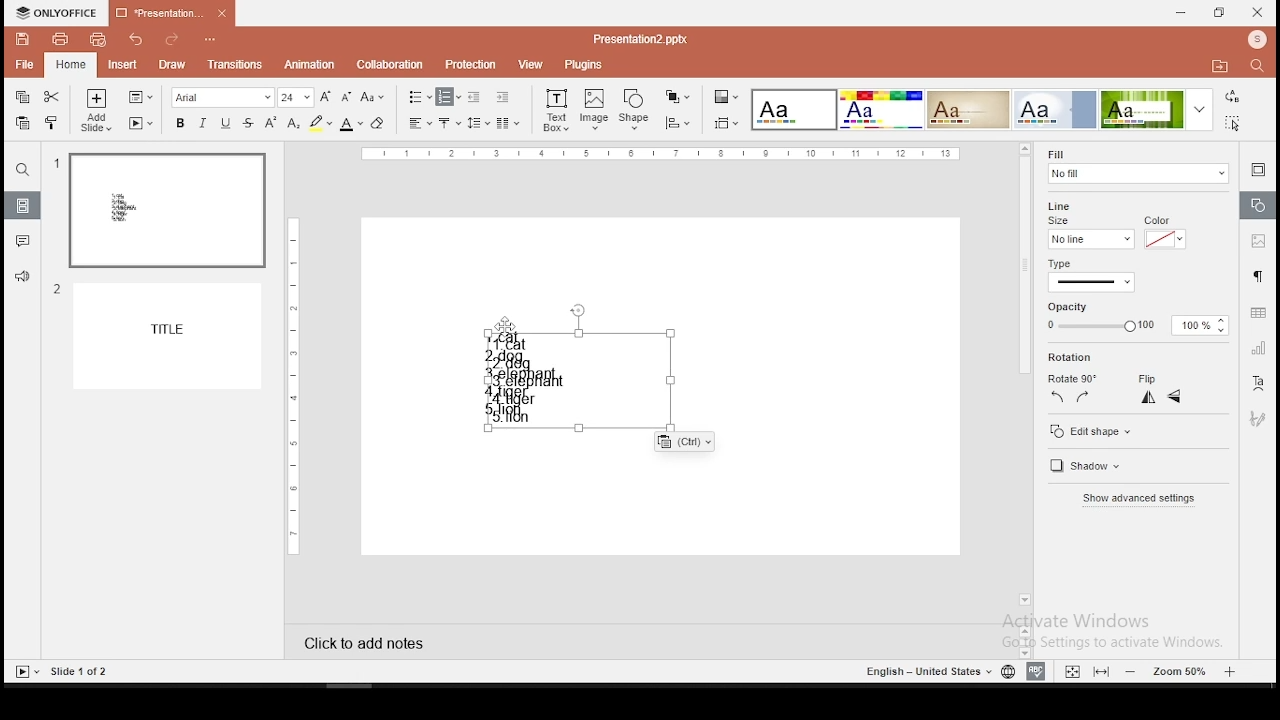 This screenshot has width=1280, height=720. What do you see at coordinates (1135, 164) in the screenshot?
I see `fill settings` at bounding box center [1135, 164].